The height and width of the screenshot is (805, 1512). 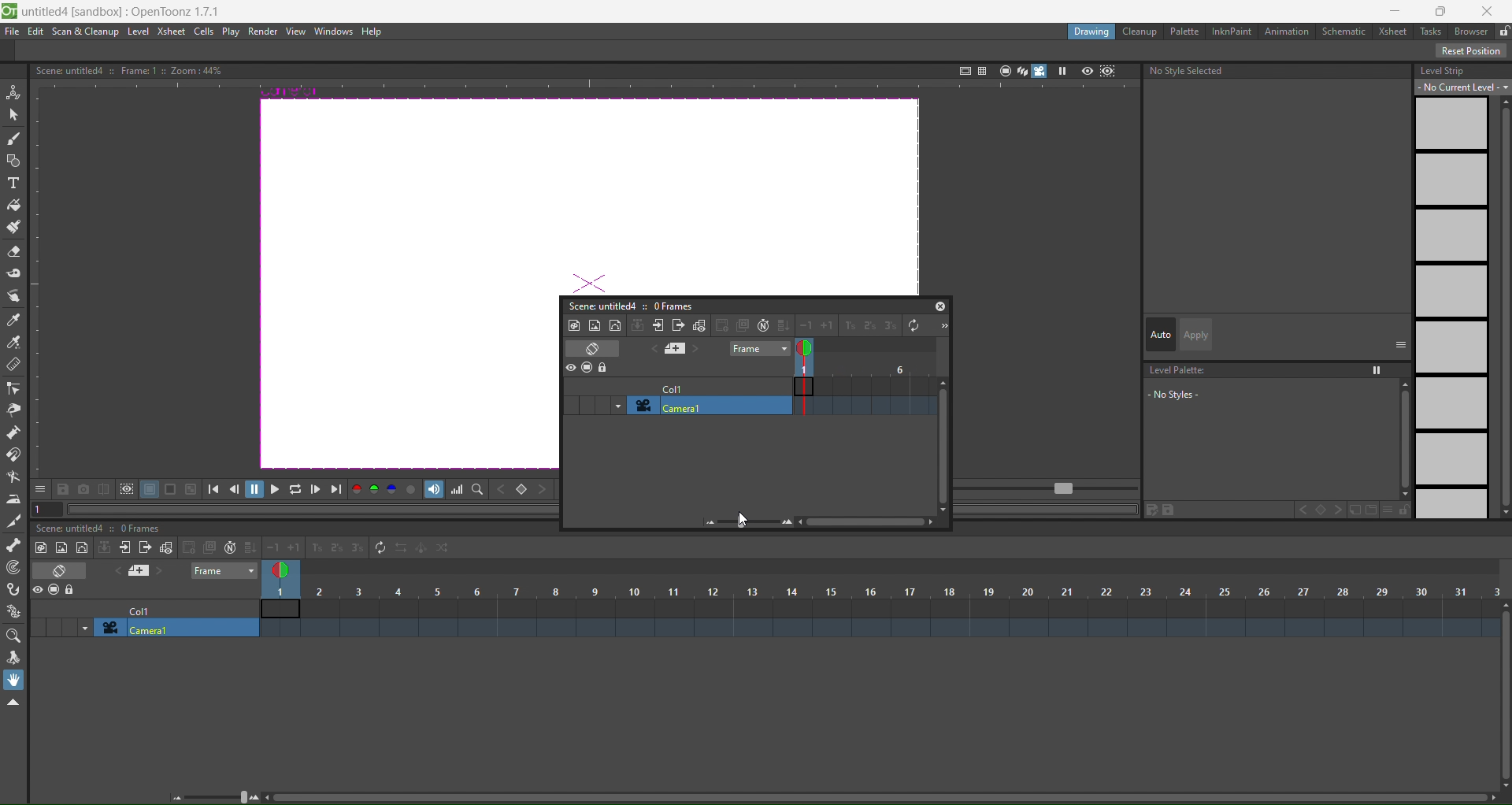 I want to click on help, so click(x=372, y=32).